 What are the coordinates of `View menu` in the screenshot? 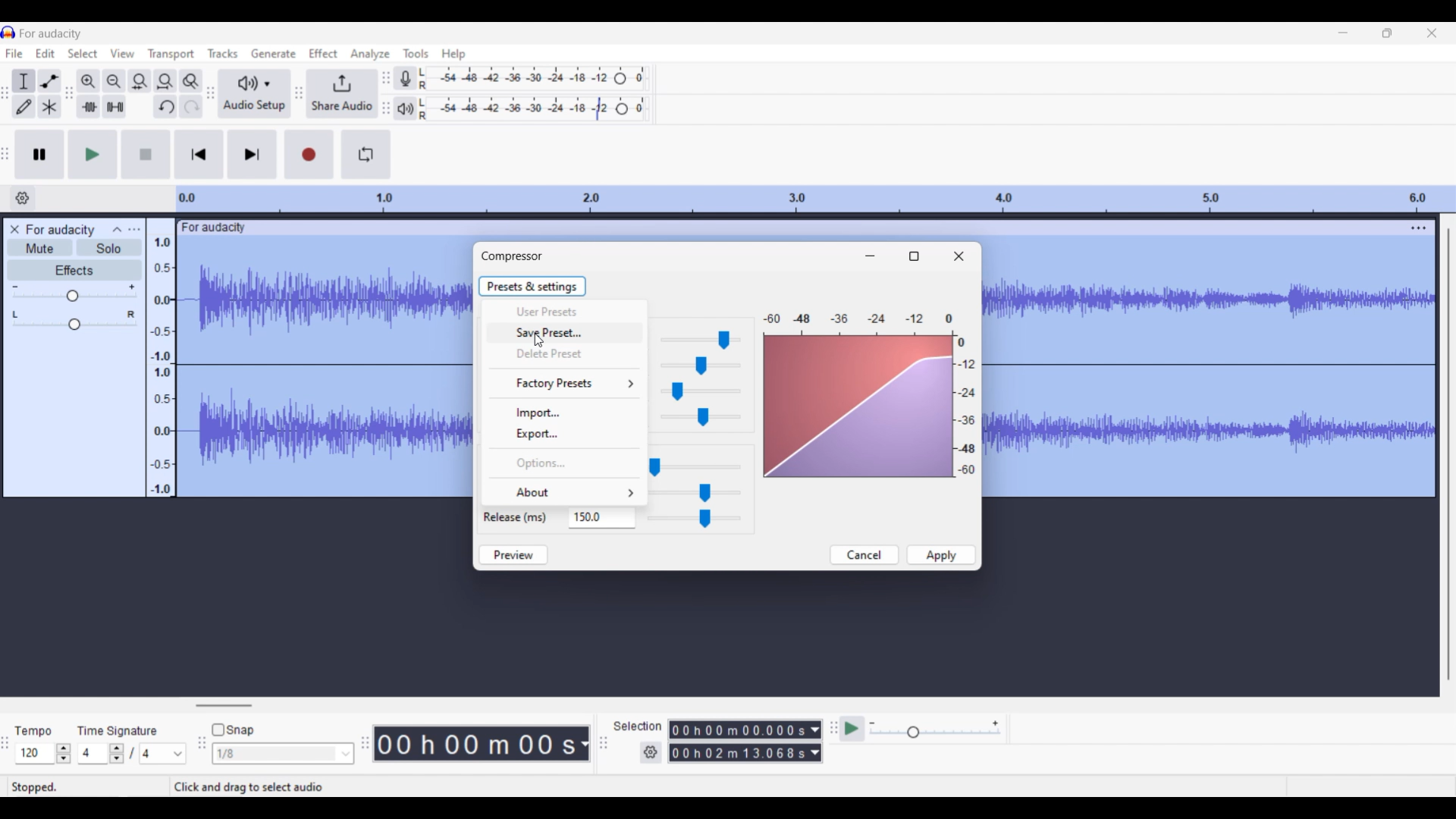 It's located at (122, 53).